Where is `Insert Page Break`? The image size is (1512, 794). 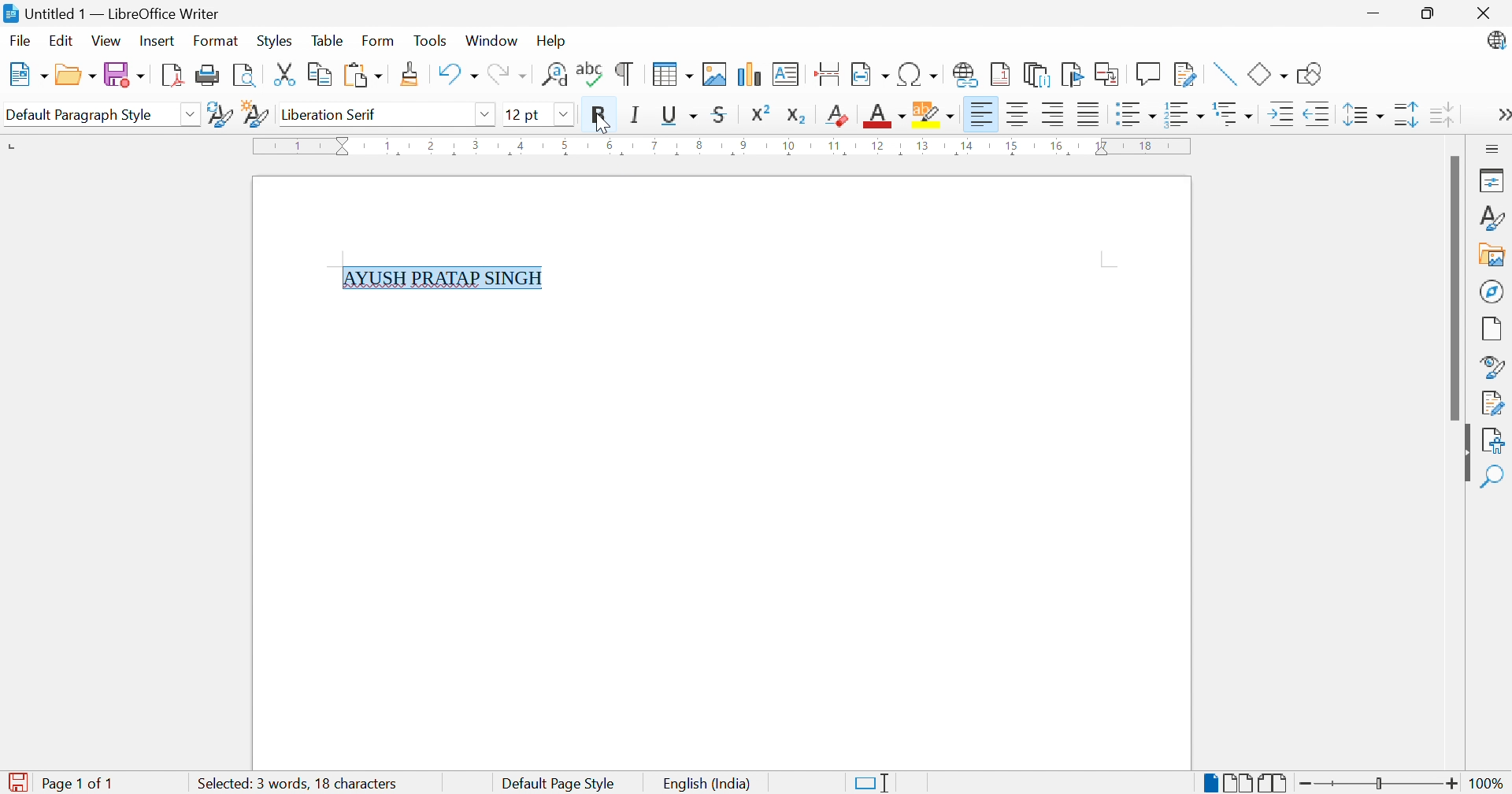 Insert Page Break is located at coordinates (828, 74).